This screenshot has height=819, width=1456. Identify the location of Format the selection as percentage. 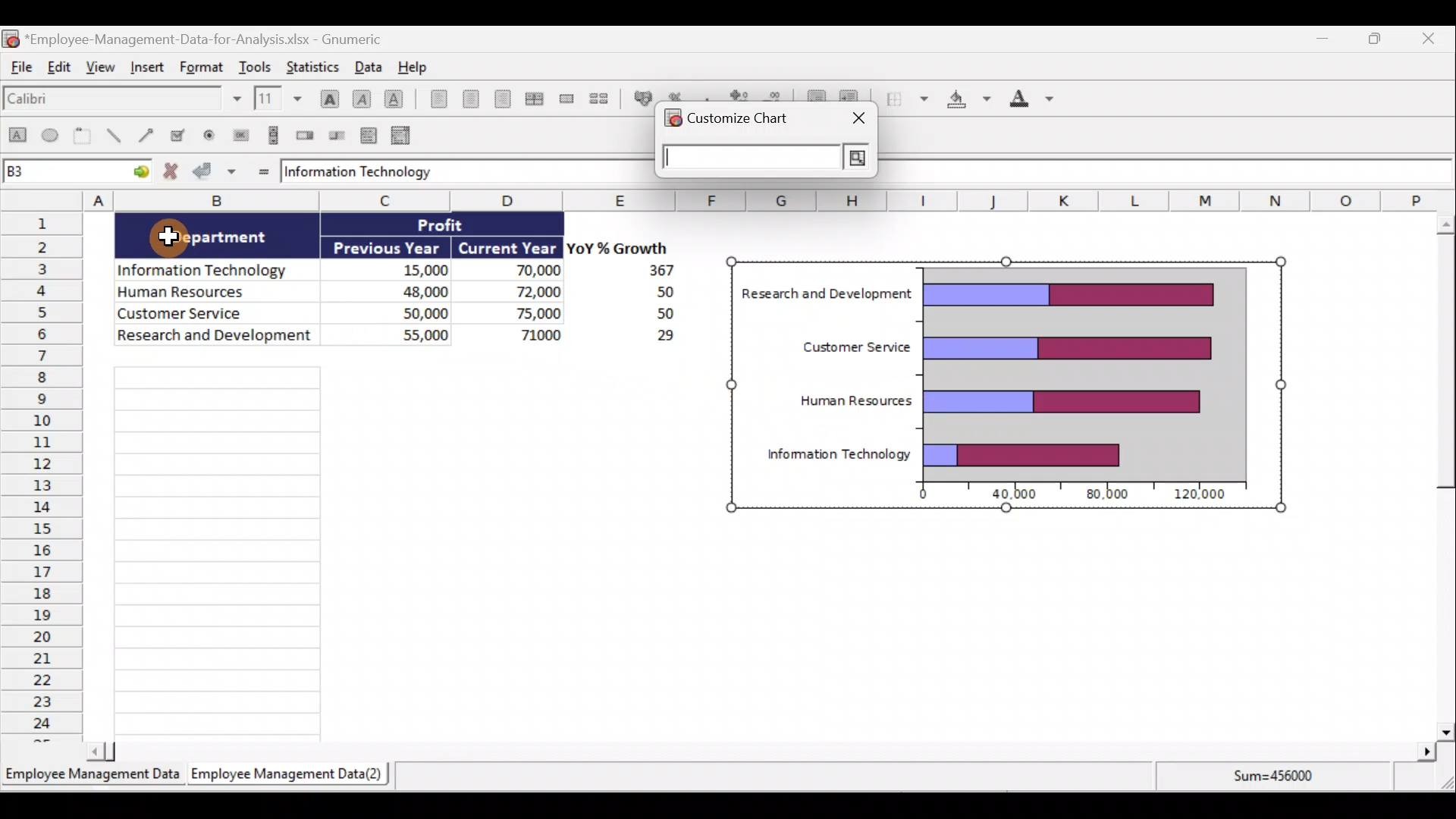
(675, 96).